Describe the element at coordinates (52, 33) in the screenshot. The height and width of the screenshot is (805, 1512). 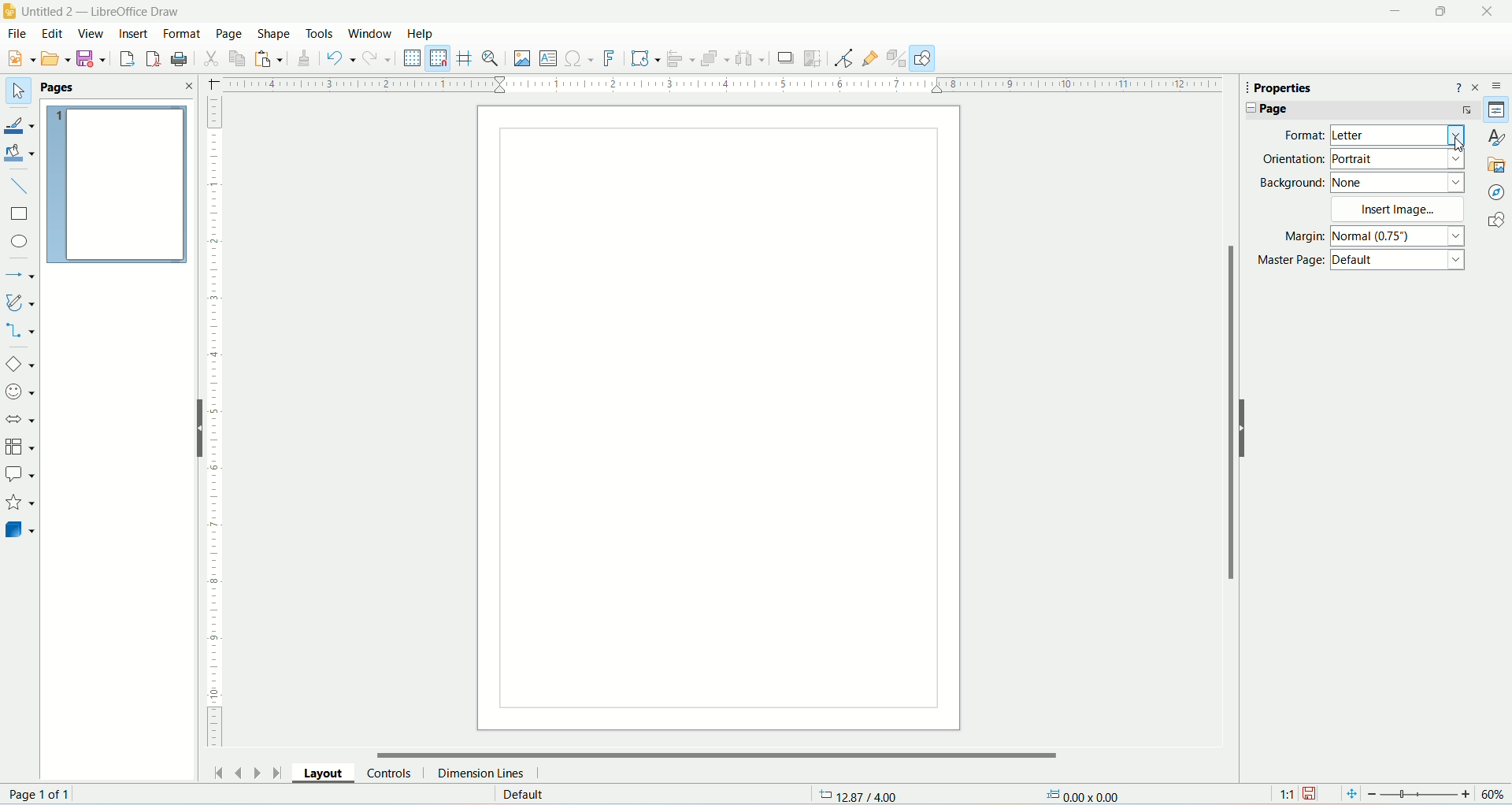
I see `edit` at that location.